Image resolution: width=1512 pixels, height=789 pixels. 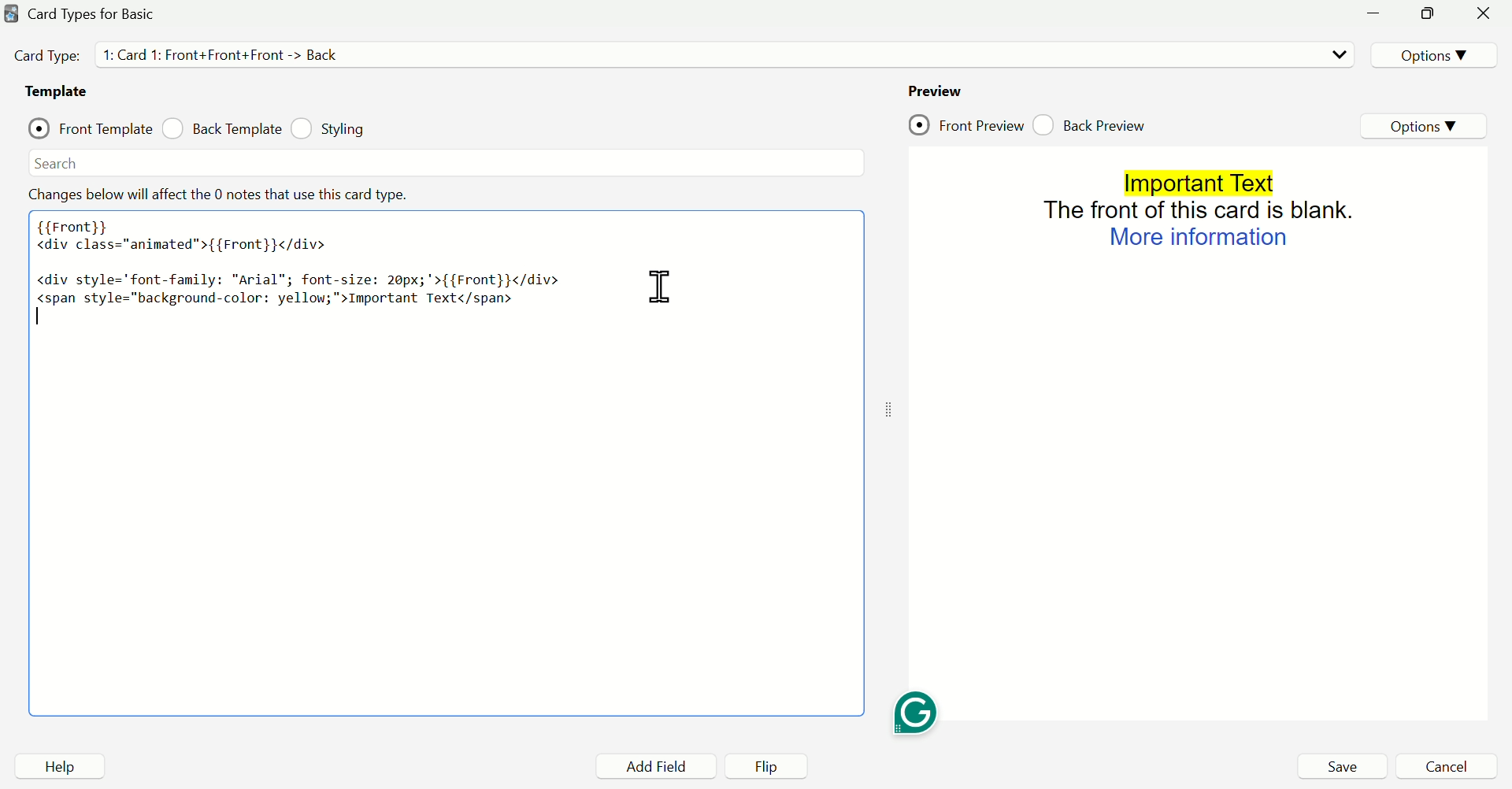 I want to click on More Information, so click(x=1198, y=238).